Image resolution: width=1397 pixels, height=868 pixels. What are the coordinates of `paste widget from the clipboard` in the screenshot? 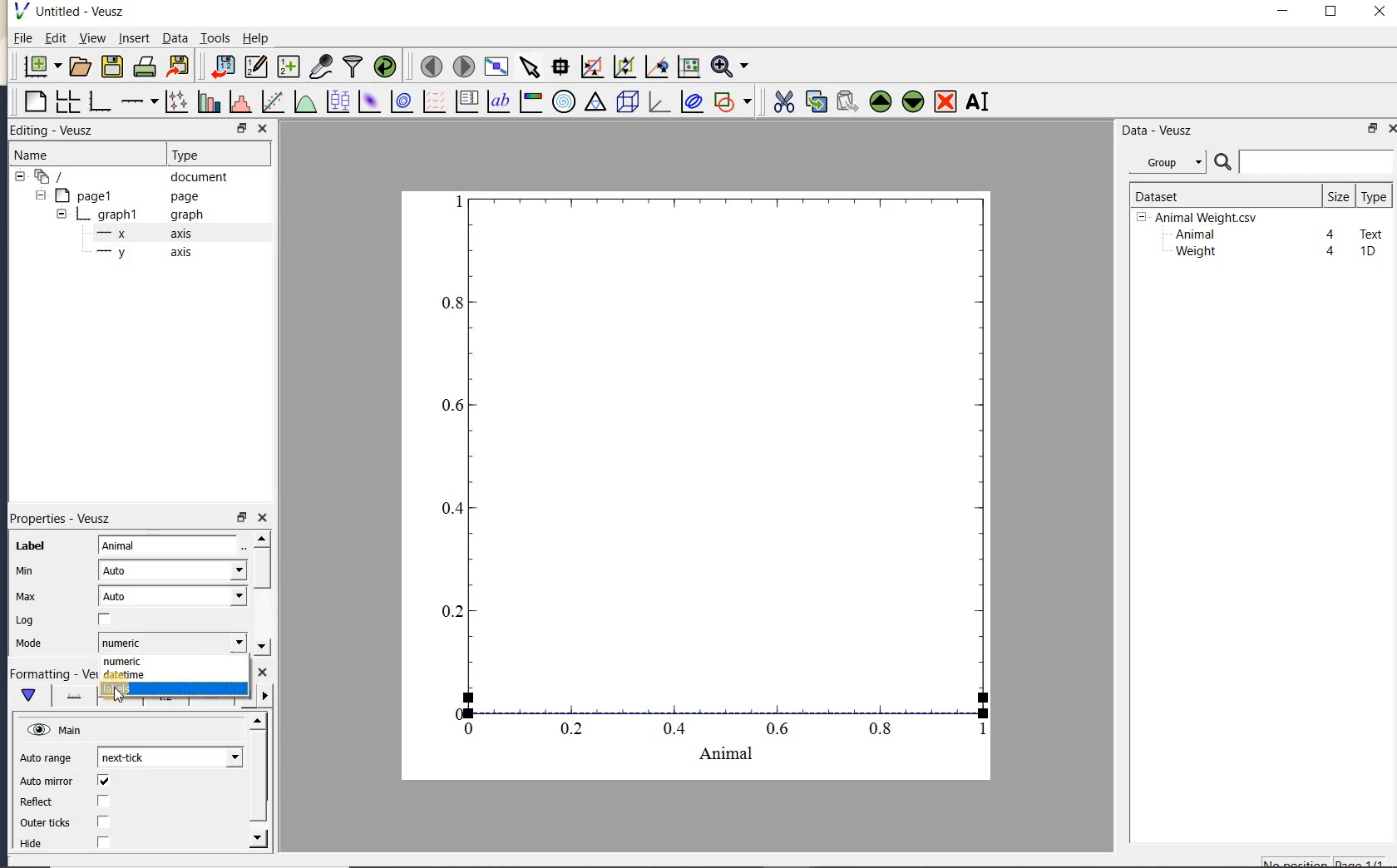 It's located at (847, 103).